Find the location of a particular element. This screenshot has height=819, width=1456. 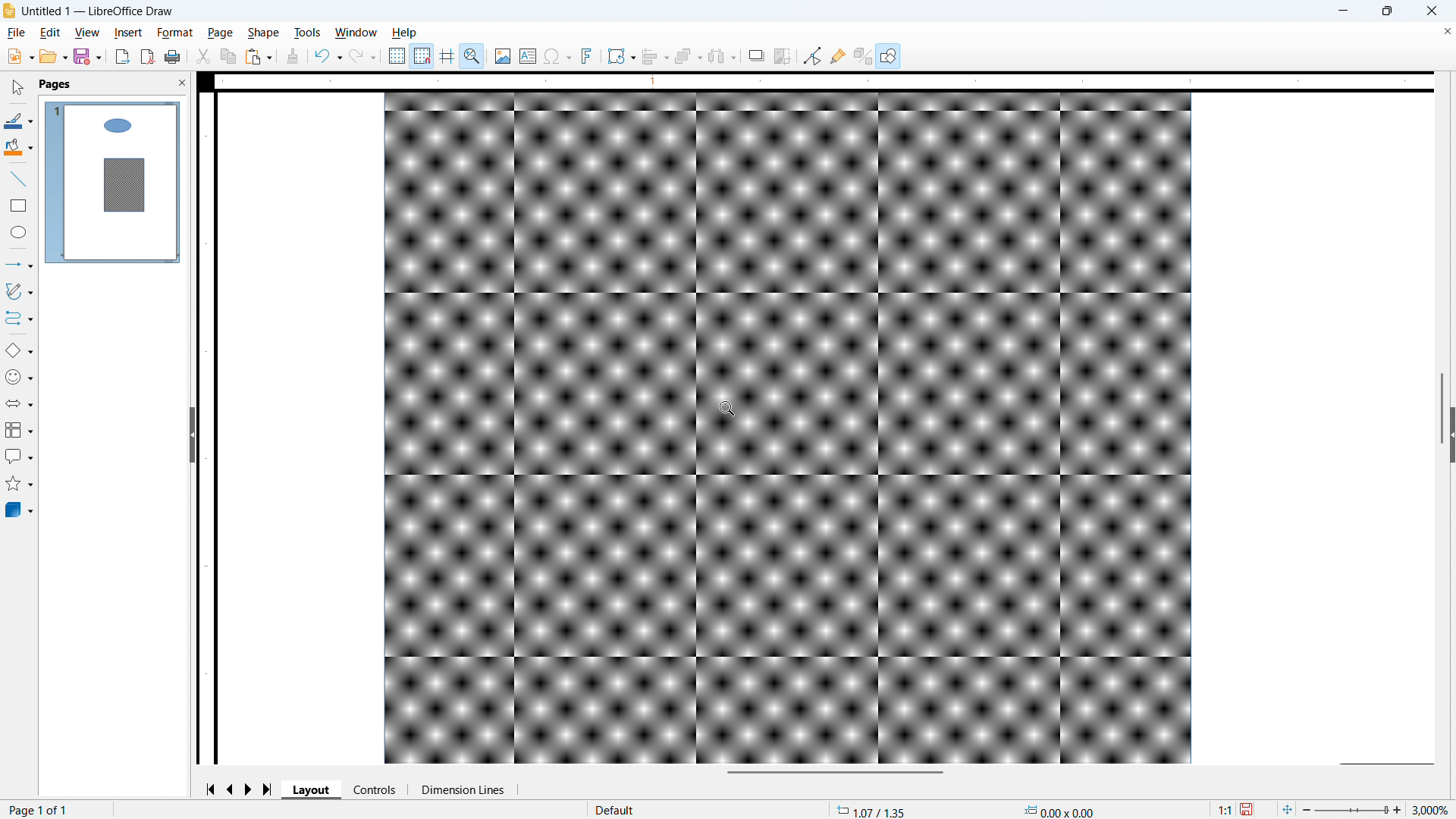

Close document  is located at coordinates (1445, 32).